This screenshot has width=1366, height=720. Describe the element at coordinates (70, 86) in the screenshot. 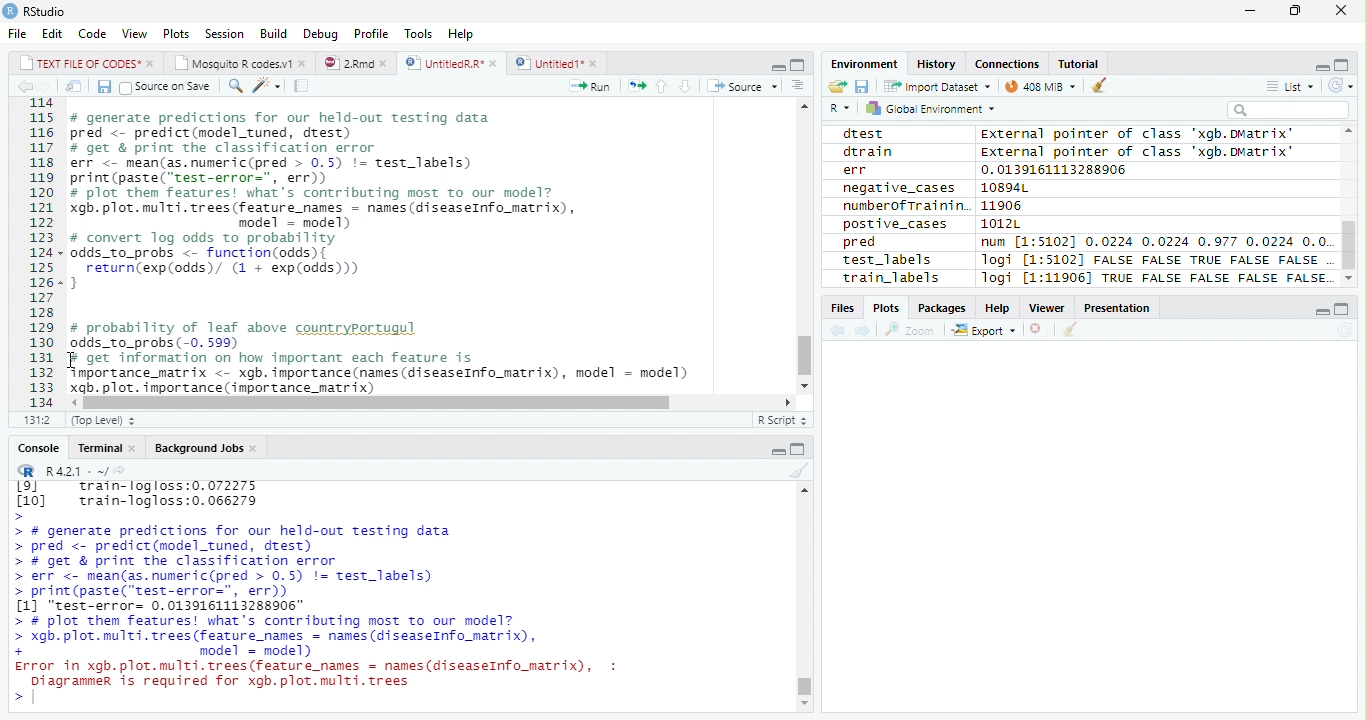

I see `Show in new window` at that location.